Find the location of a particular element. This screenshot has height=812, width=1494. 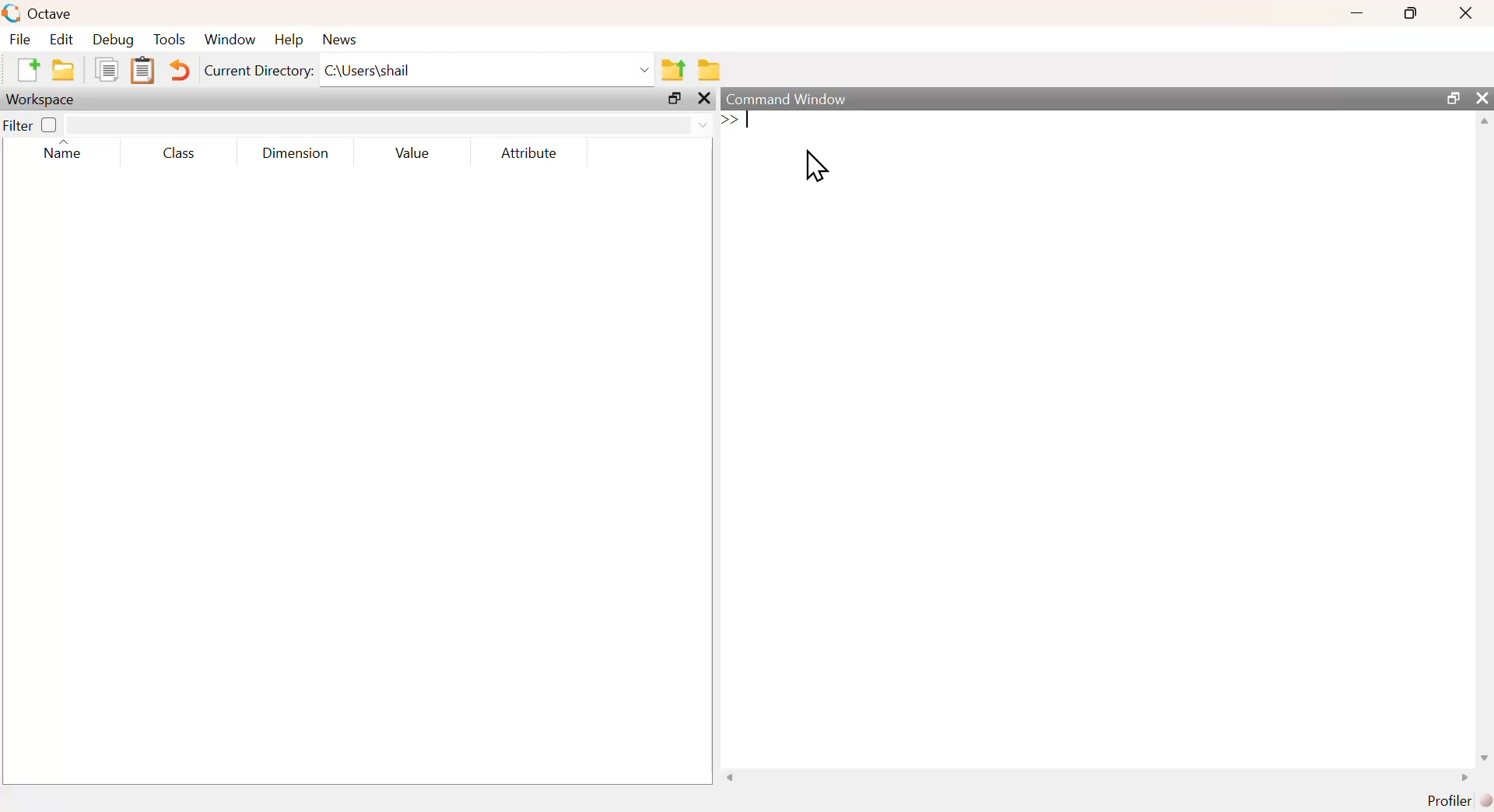

attribute is located at coordinates (528, 154).